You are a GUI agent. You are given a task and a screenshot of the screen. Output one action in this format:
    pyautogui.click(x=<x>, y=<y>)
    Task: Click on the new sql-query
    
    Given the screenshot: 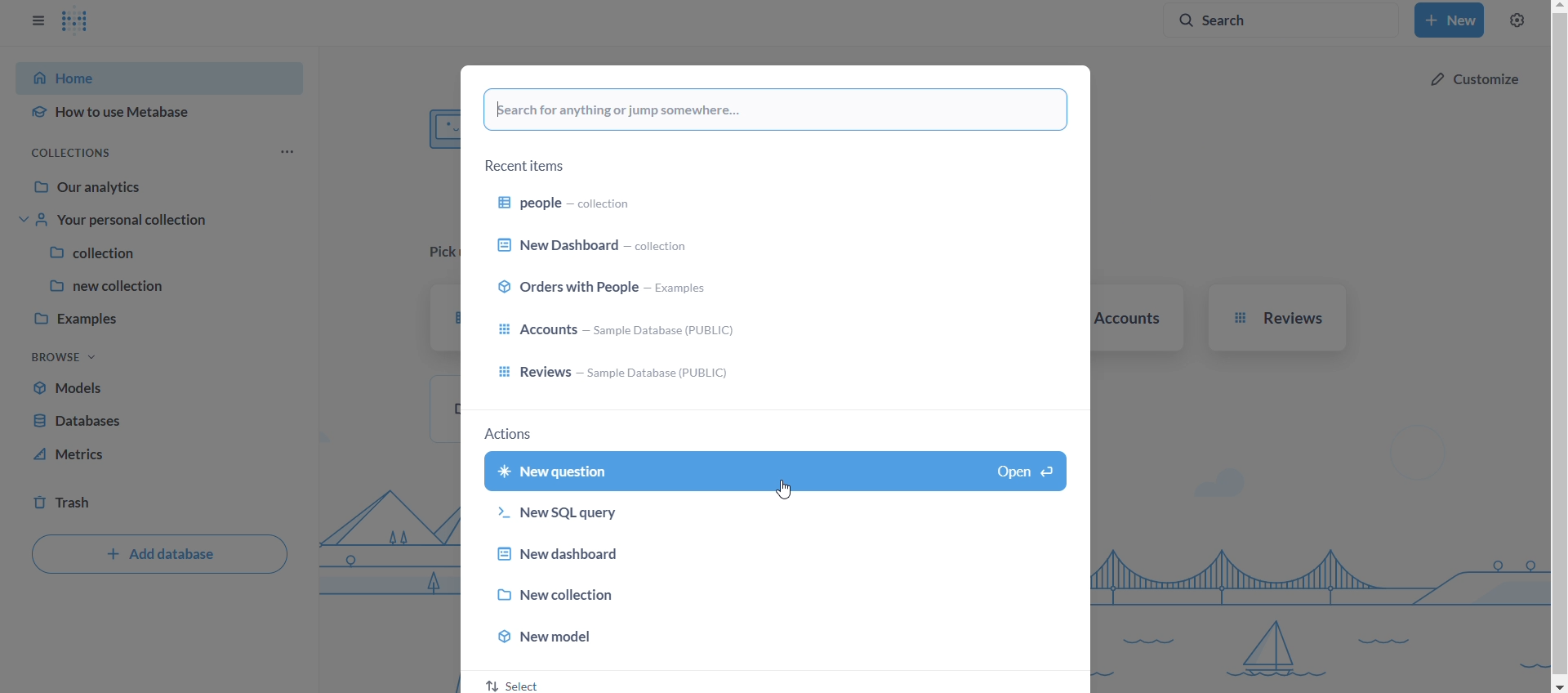 What is the action you would take?
    pyautogui.click(x=768, y=515)
    